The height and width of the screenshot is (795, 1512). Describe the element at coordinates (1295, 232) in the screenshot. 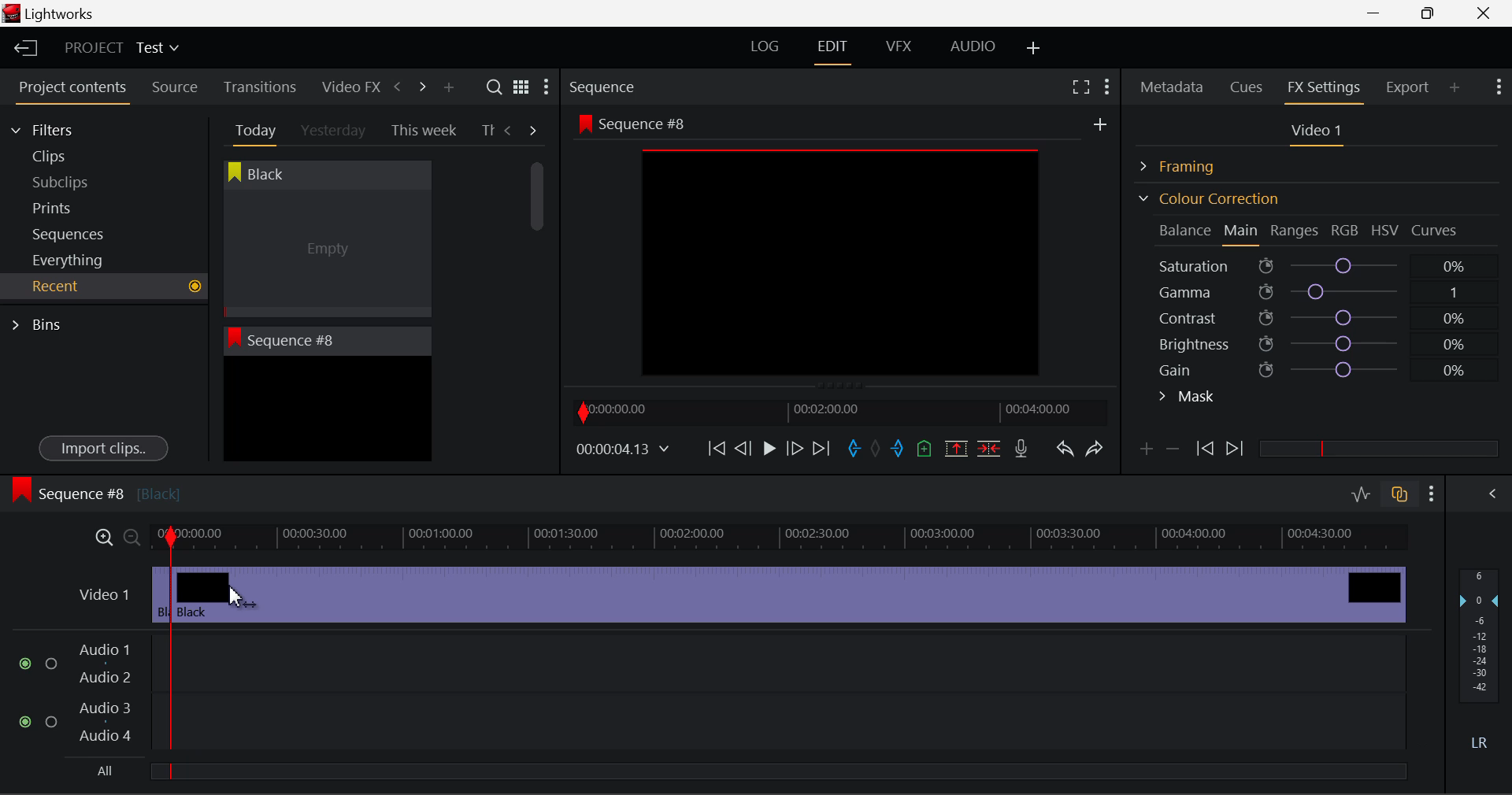

I see `Ranges` at that location.